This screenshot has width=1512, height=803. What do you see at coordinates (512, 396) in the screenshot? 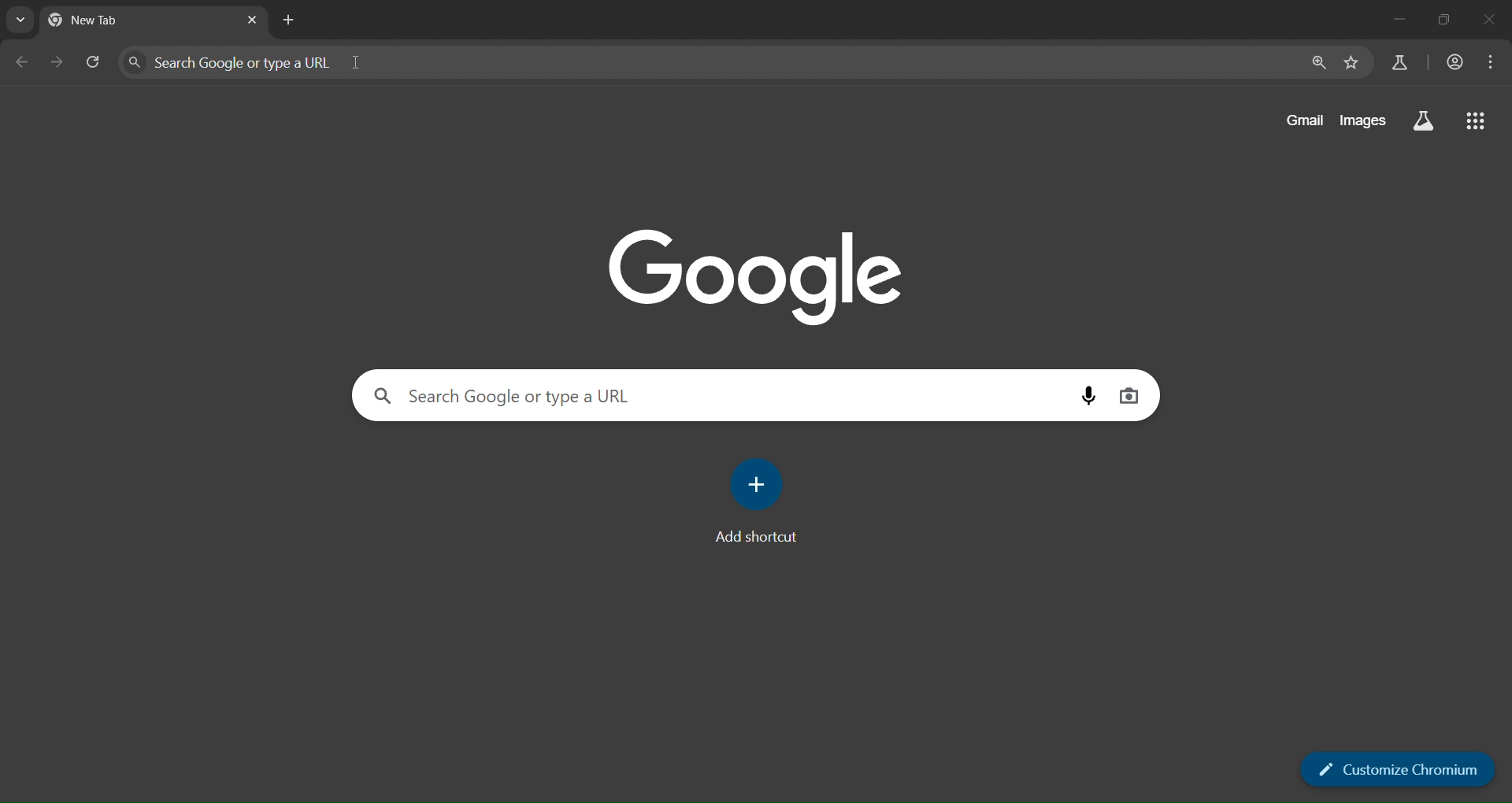
I see `Search Google or type a URL` at bounding box center [512, 396].